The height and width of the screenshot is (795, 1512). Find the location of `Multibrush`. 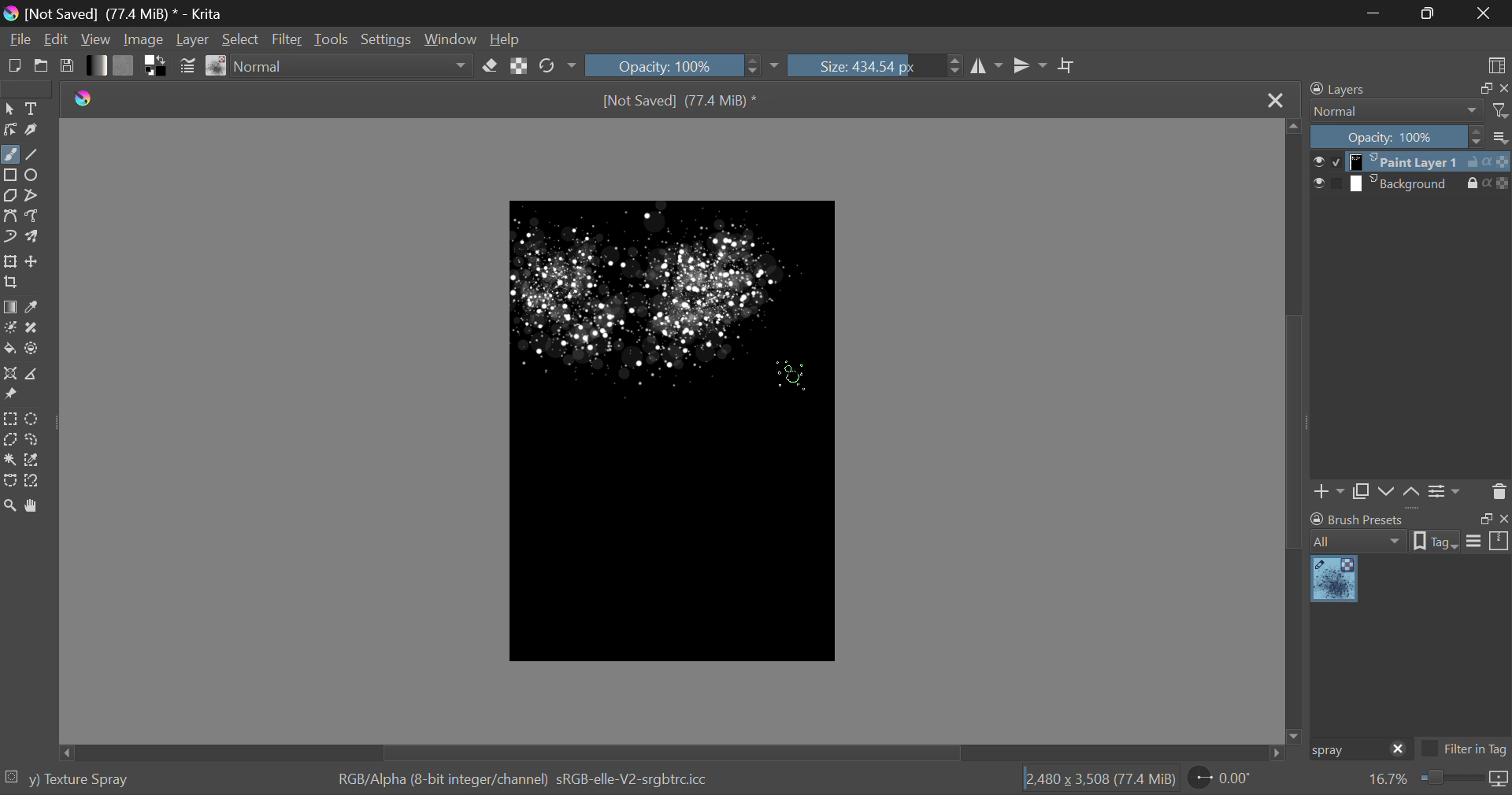

Multibrush is located at coordinates (32, 235).